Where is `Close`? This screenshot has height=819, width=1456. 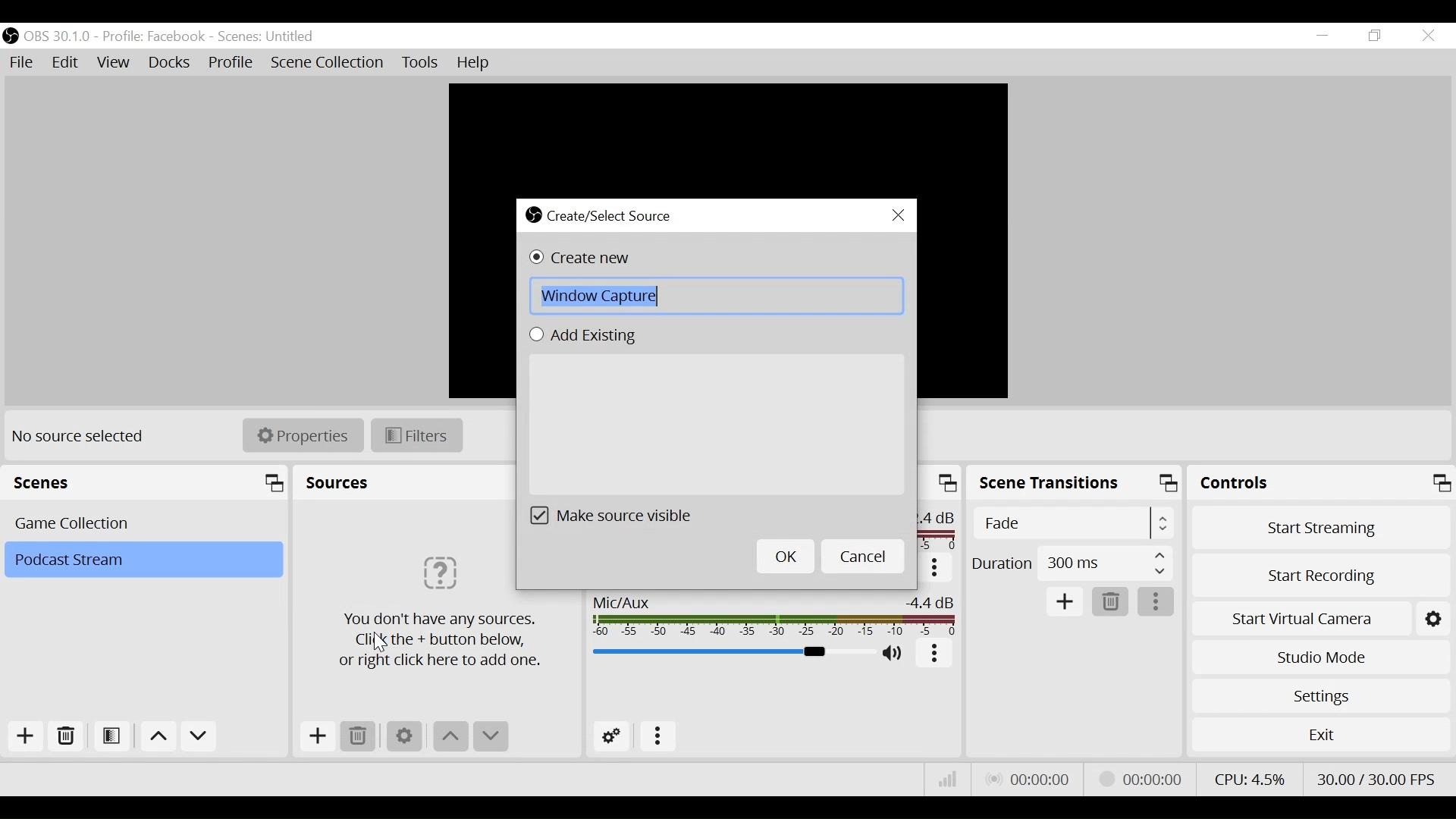 Close is located at coordinates (1427, 36).